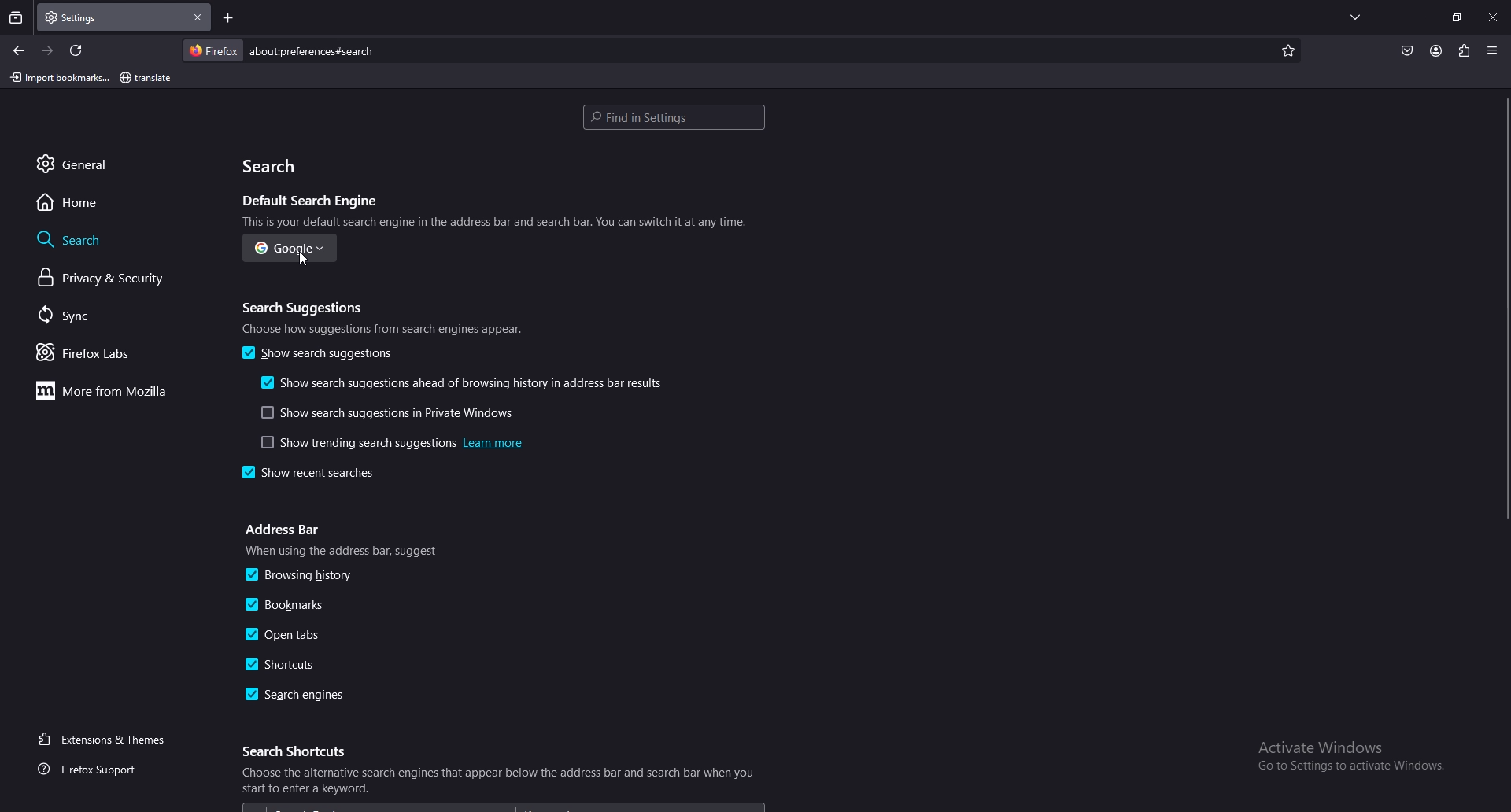 Image resolution: width=1511 pixels, height=812 pixels. Describe the element at coordinates (118, 238) in the screenshot. I see `search` at that location.